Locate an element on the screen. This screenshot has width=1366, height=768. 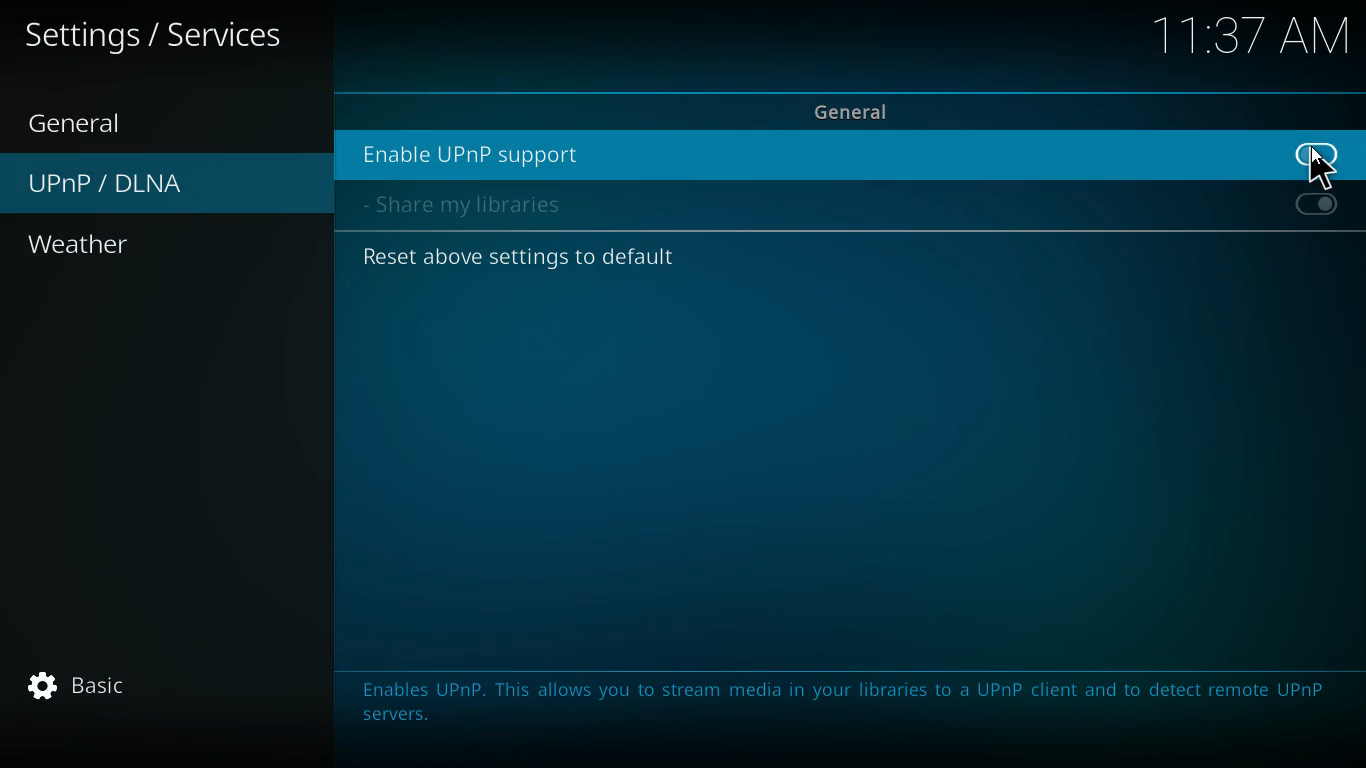
cursor is located at coordinates (1322, 168).